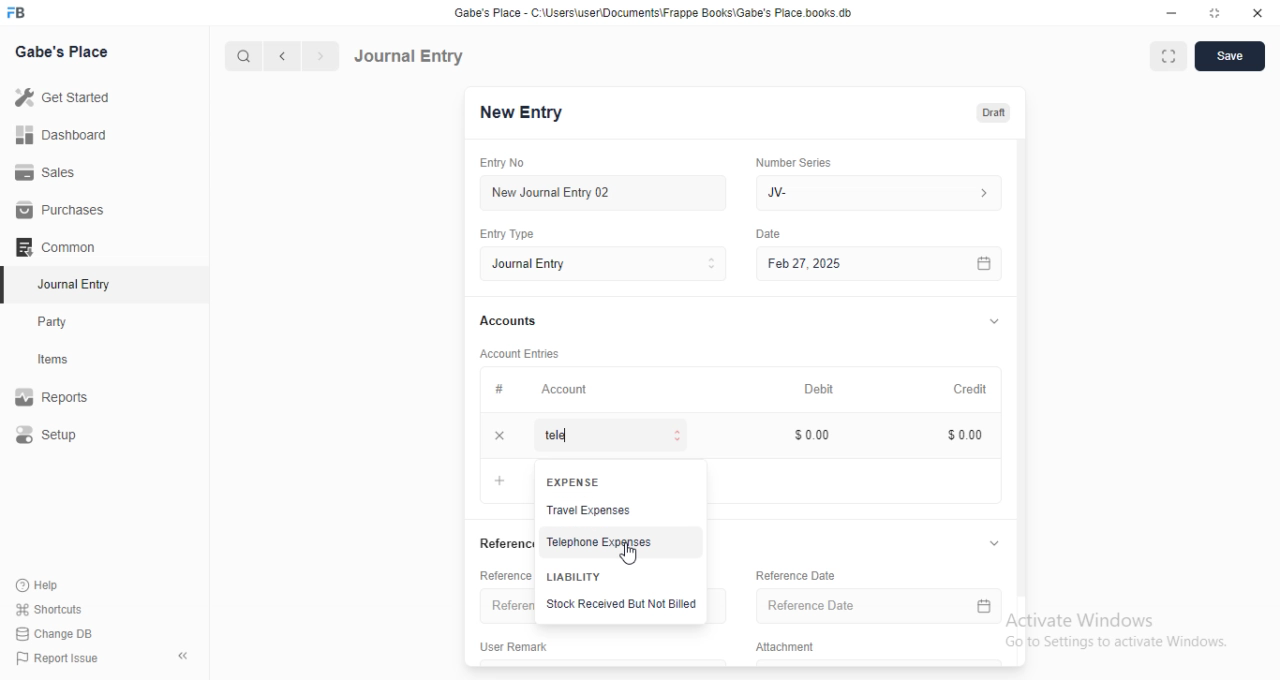 The height and width of the screenshot is (680, 1280). Describe the element at coordinates (503, 606) in the screenshot. I see `‘Reference Number` at that location.